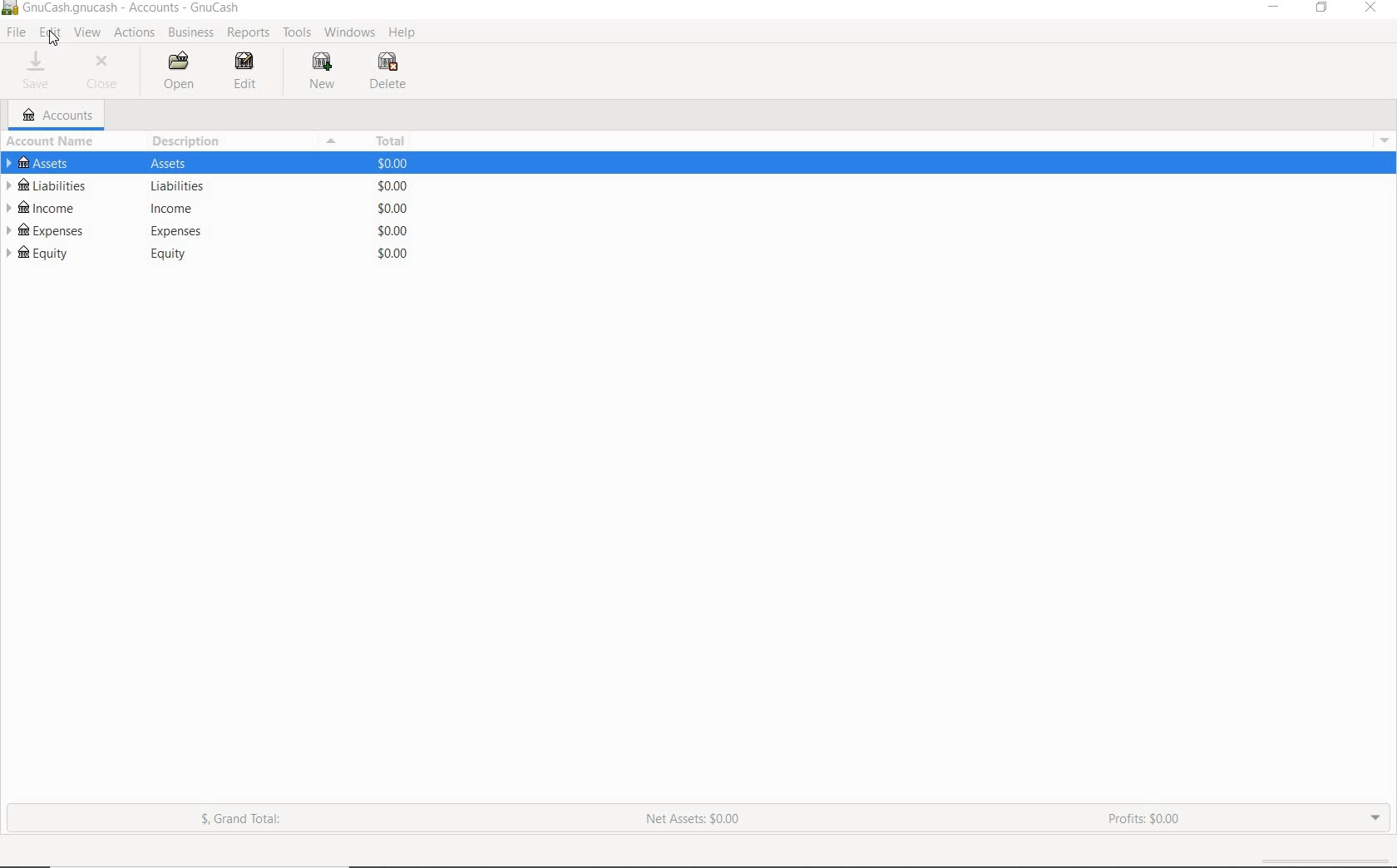 This screenshot has height=868, width=1397. Describe the element at coordinates (205, 208) in the screenshot. I see `INCOME` at that location.